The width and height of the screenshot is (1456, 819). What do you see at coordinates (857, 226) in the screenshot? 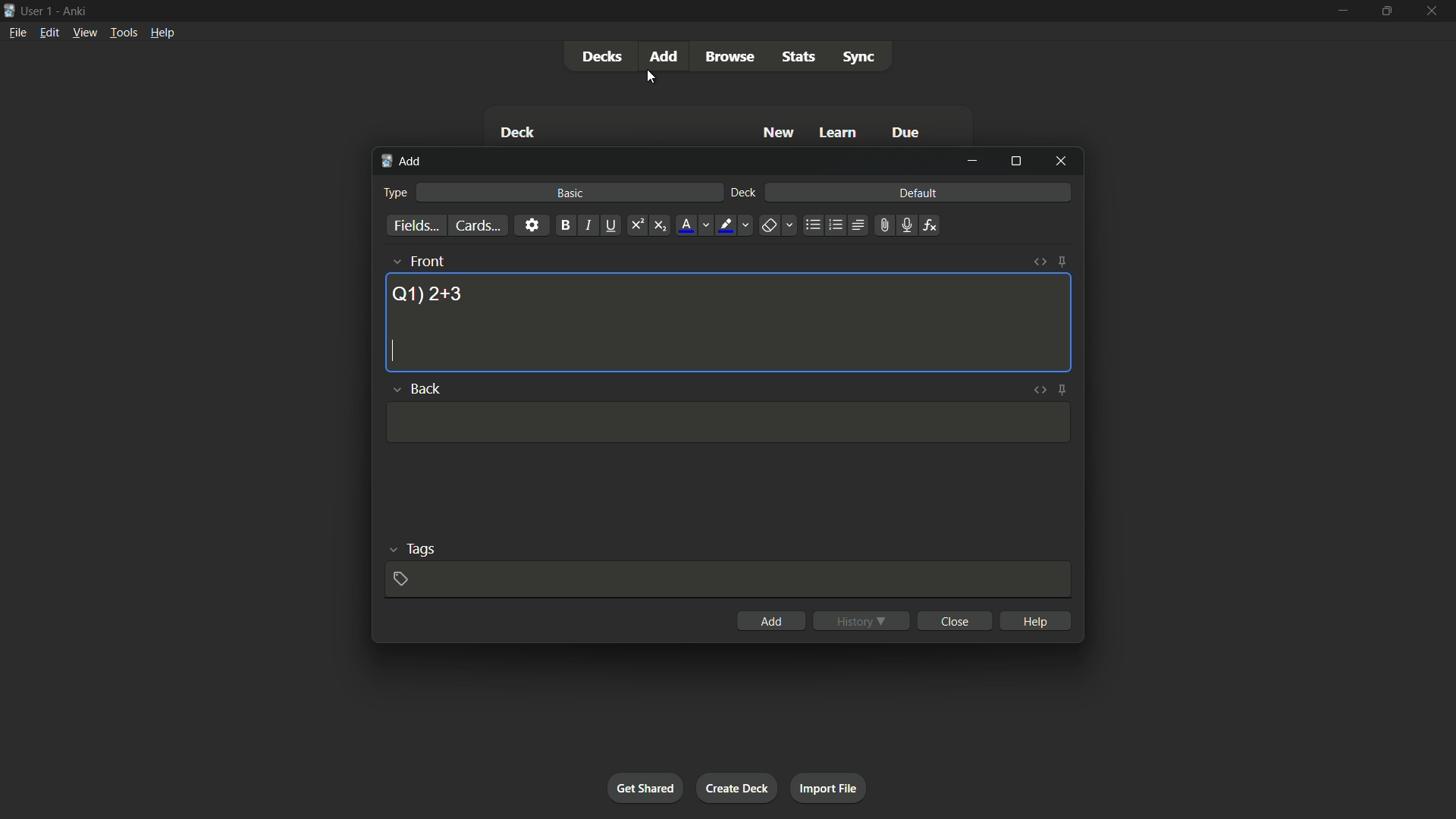
I see `alignment` at bounding box center [857, 226].